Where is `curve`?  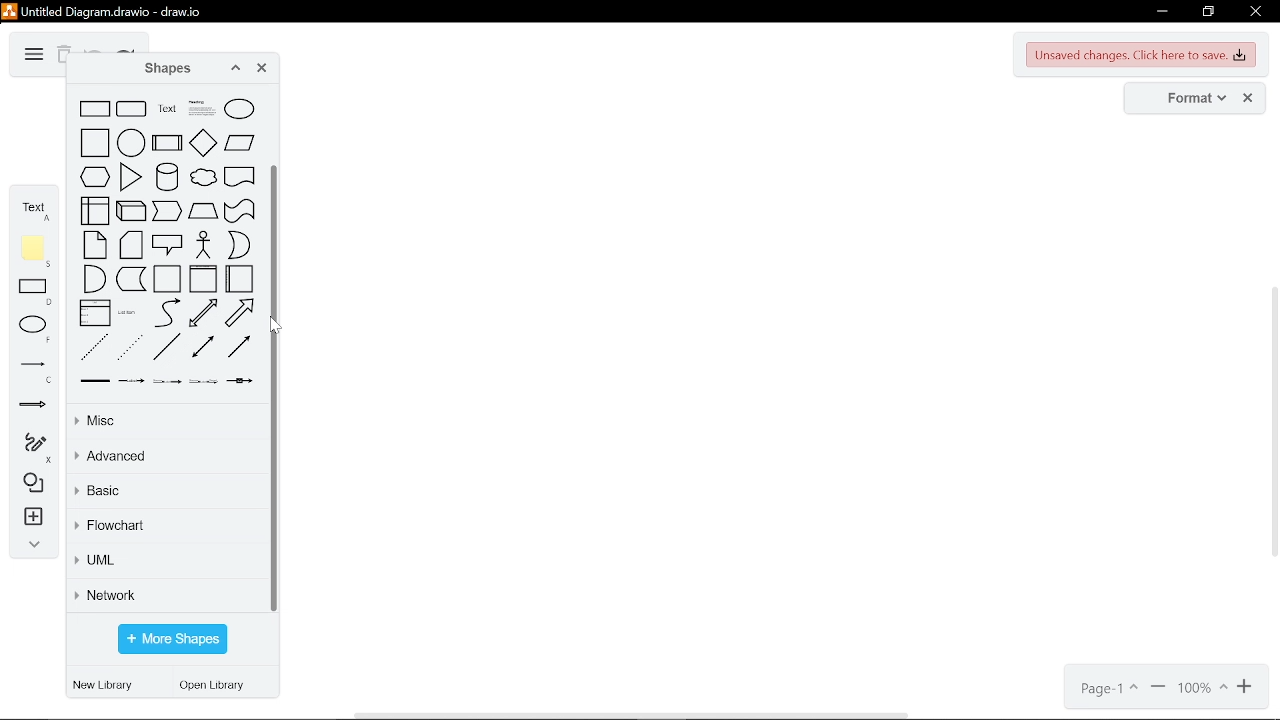 curve is located at coordinates (167, 313).